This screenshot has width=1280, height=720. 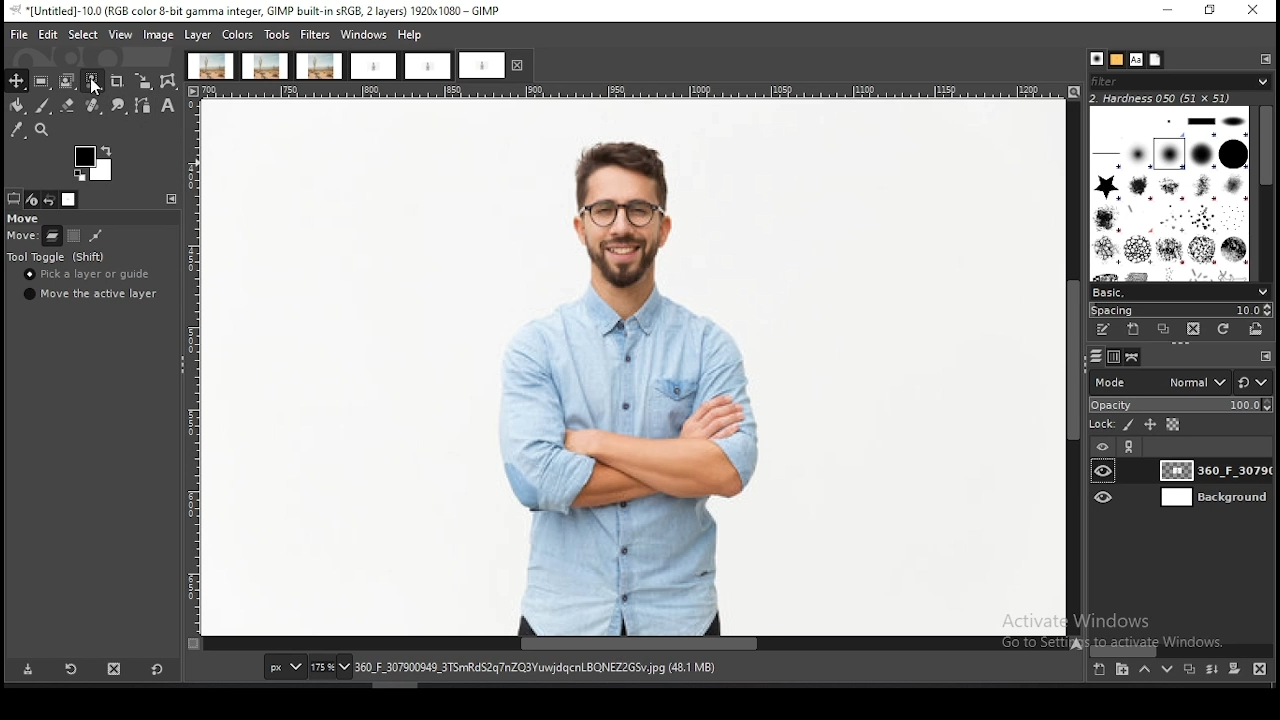 What do you see at coordinates (1102, 330) in the screenshot?
I see `edit this brush` at bounding box center [1102, 330].